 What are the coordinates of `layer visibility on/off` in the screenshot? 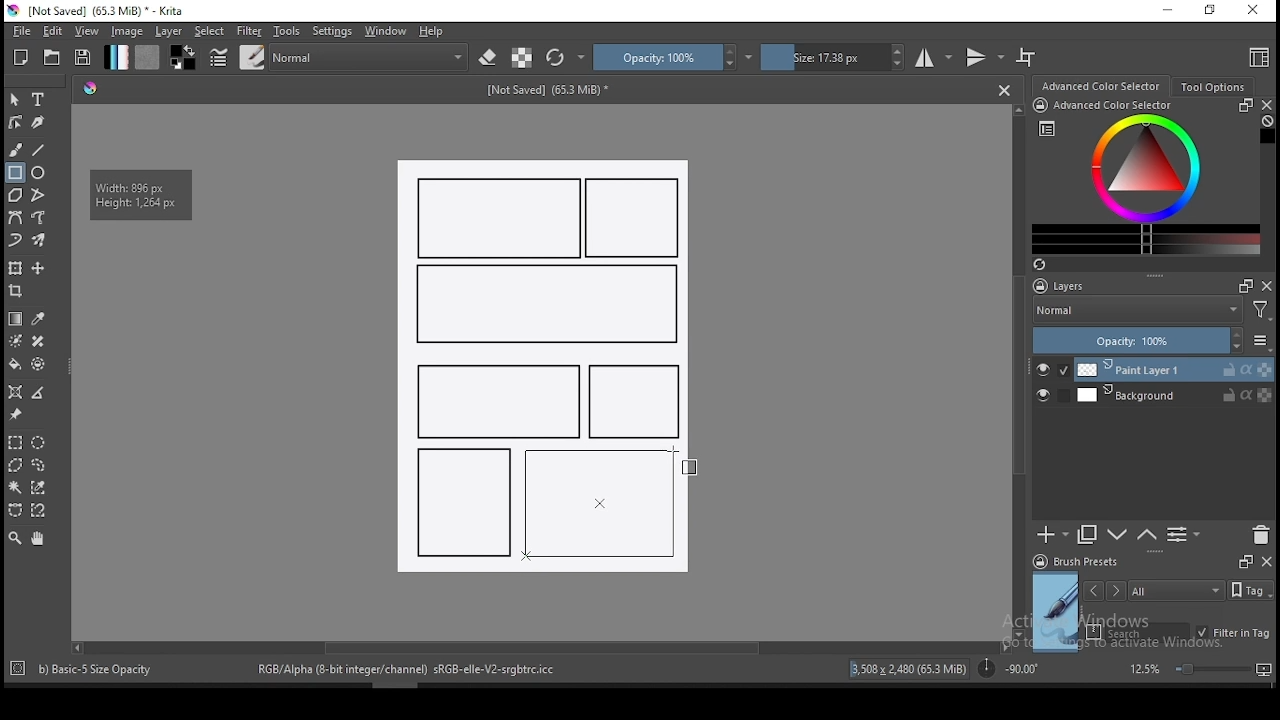 It's located at (1053, 370).